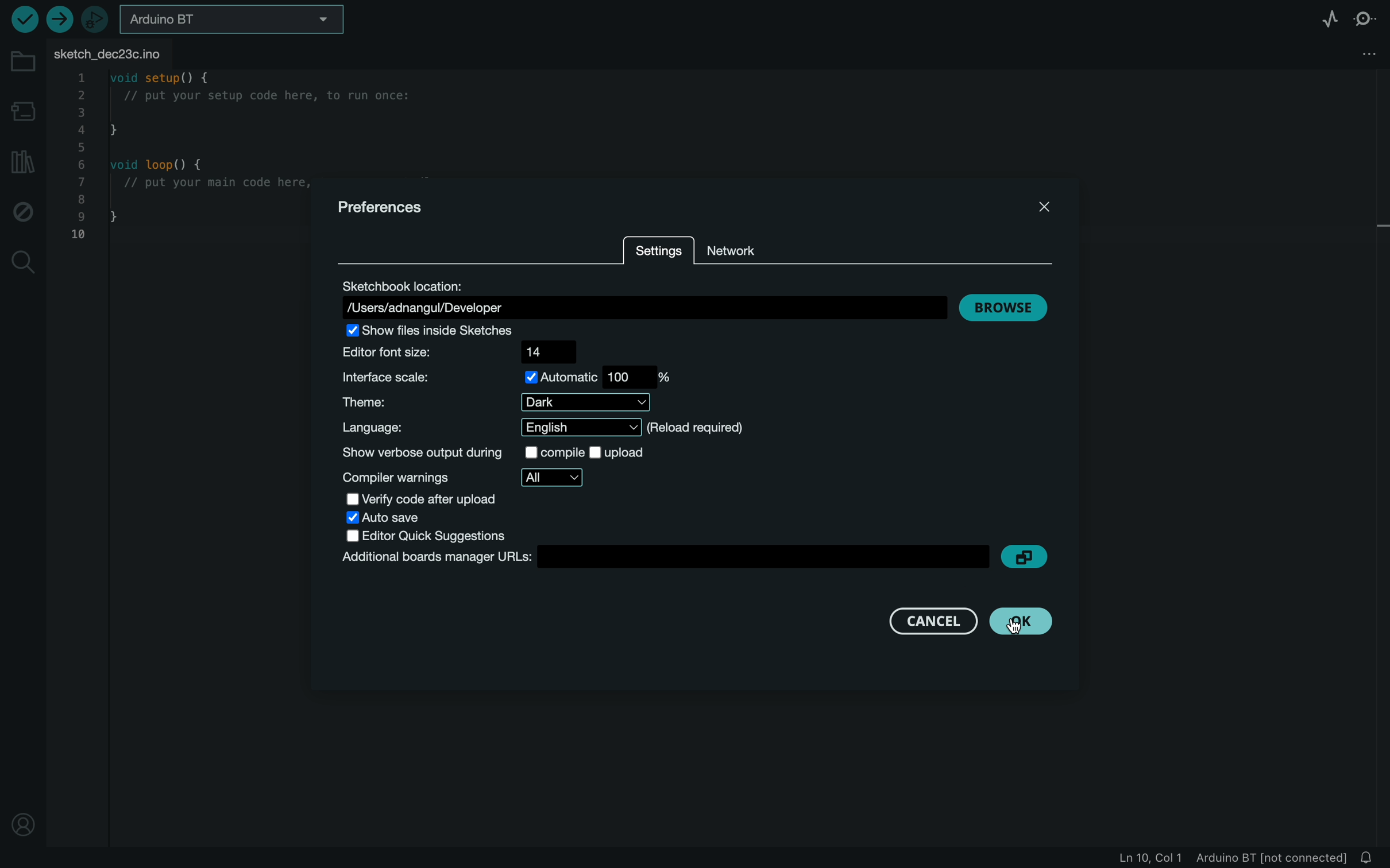  What do you see at coordinates (932, 619) in the screenshot?
I see `cancel` at bounding box center [932, 619].